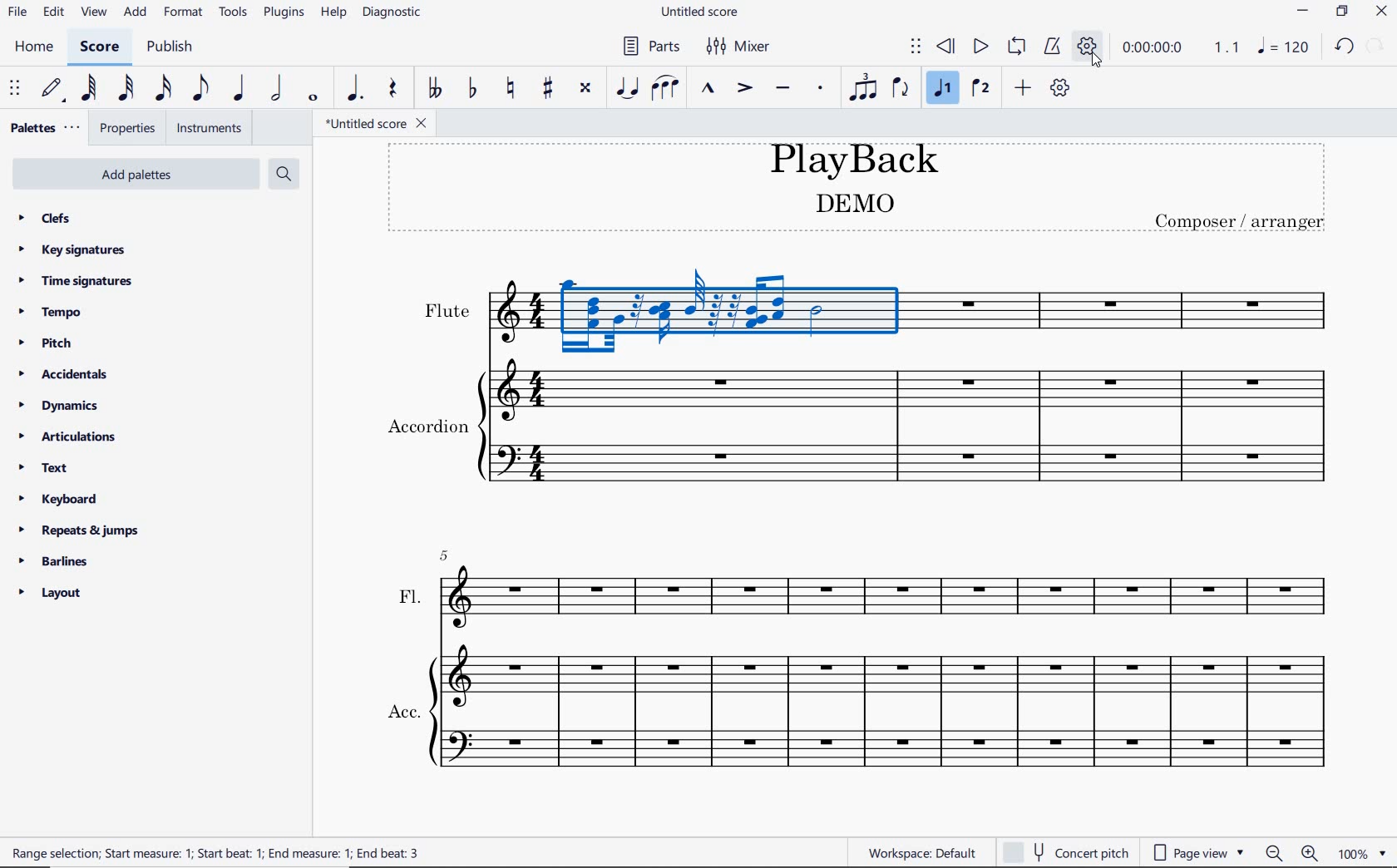 This screenshot has width=1397, height=868. Describe the element at coordinates (1059, 86) in the screenshot. I see `customize toolbar` at that location.